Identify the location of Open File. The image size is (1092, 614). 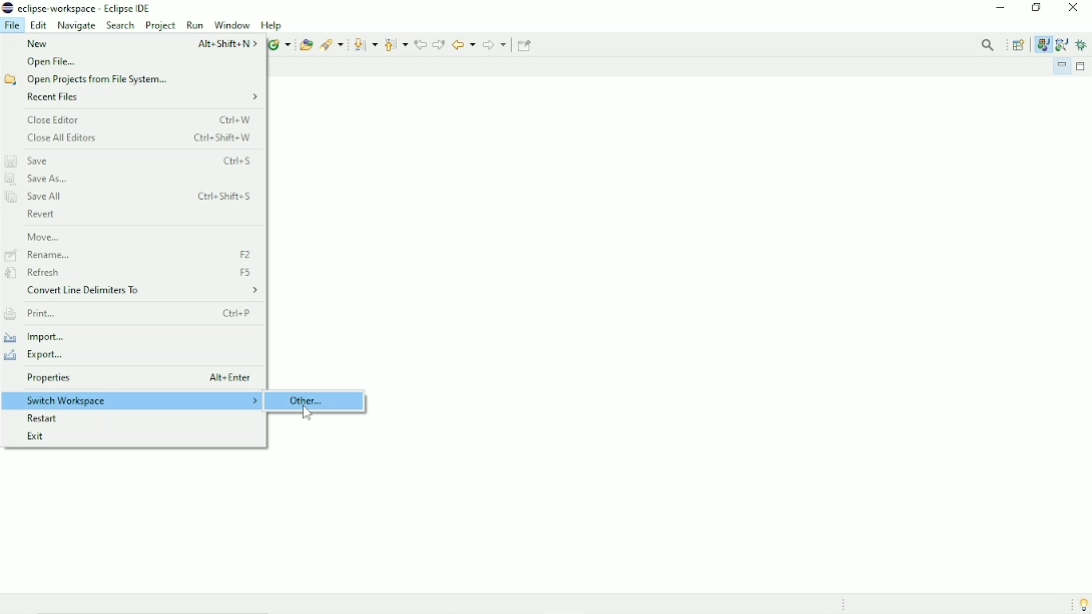
(52, 62).